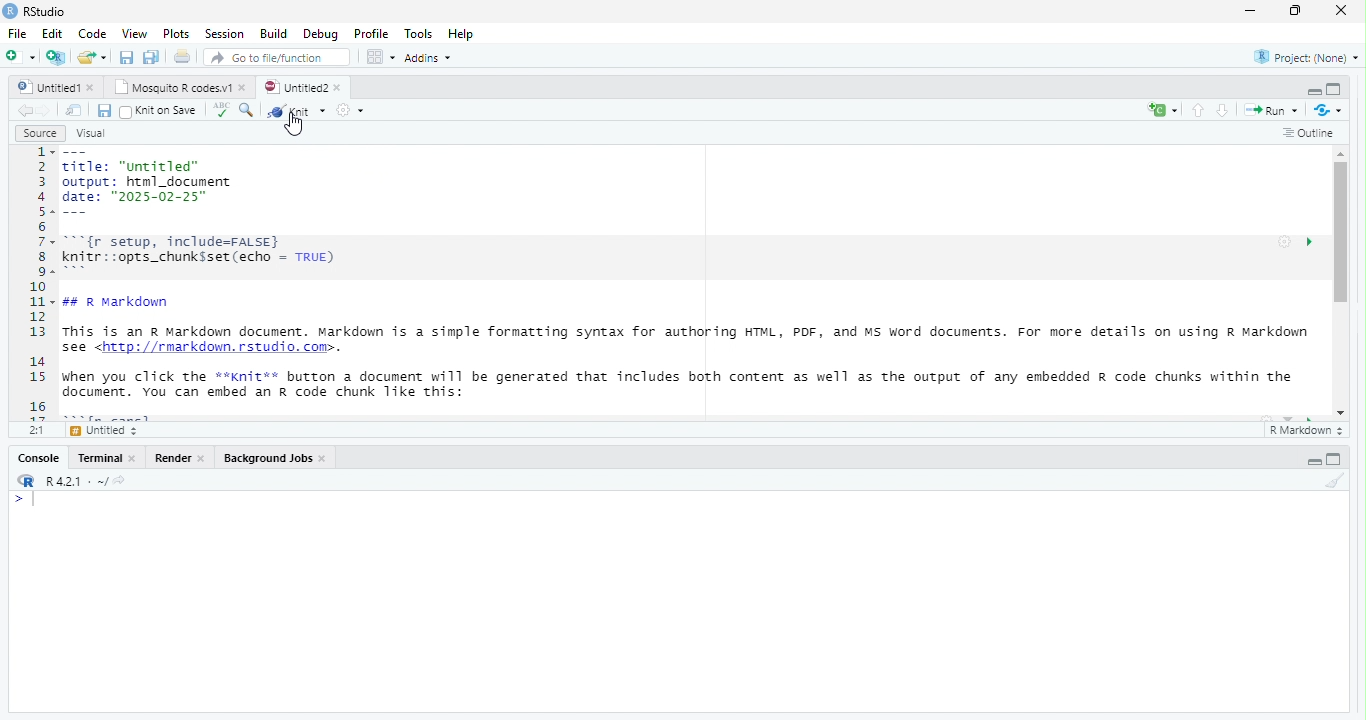 The image size is (1366, 720). I want to click on Knit, so click(297, 110).